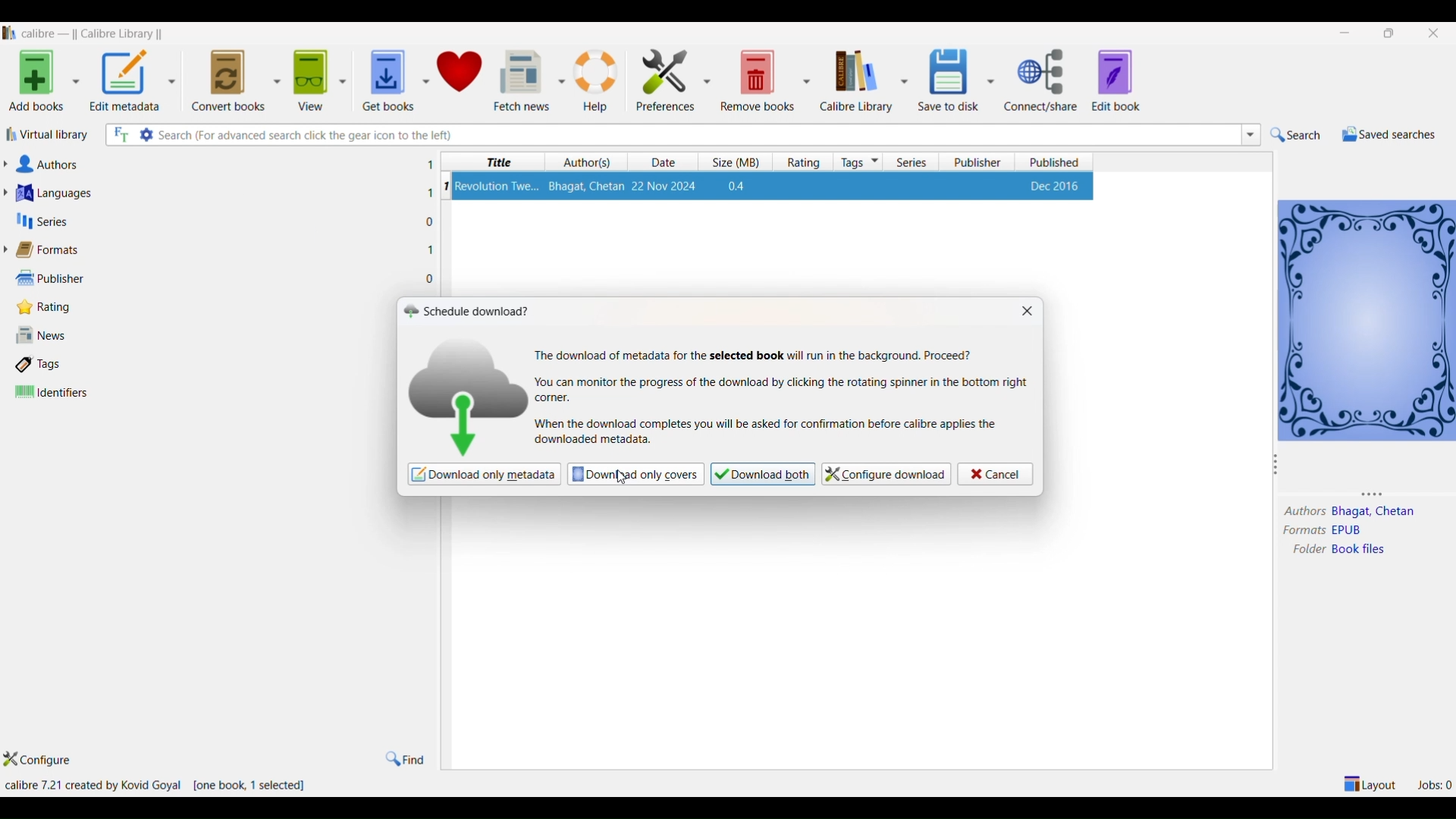 The width and height of the screenshot is (1456, 819). Describe the element at coordinates (661, 77) in the screenshot. I see `preferences` at that location.